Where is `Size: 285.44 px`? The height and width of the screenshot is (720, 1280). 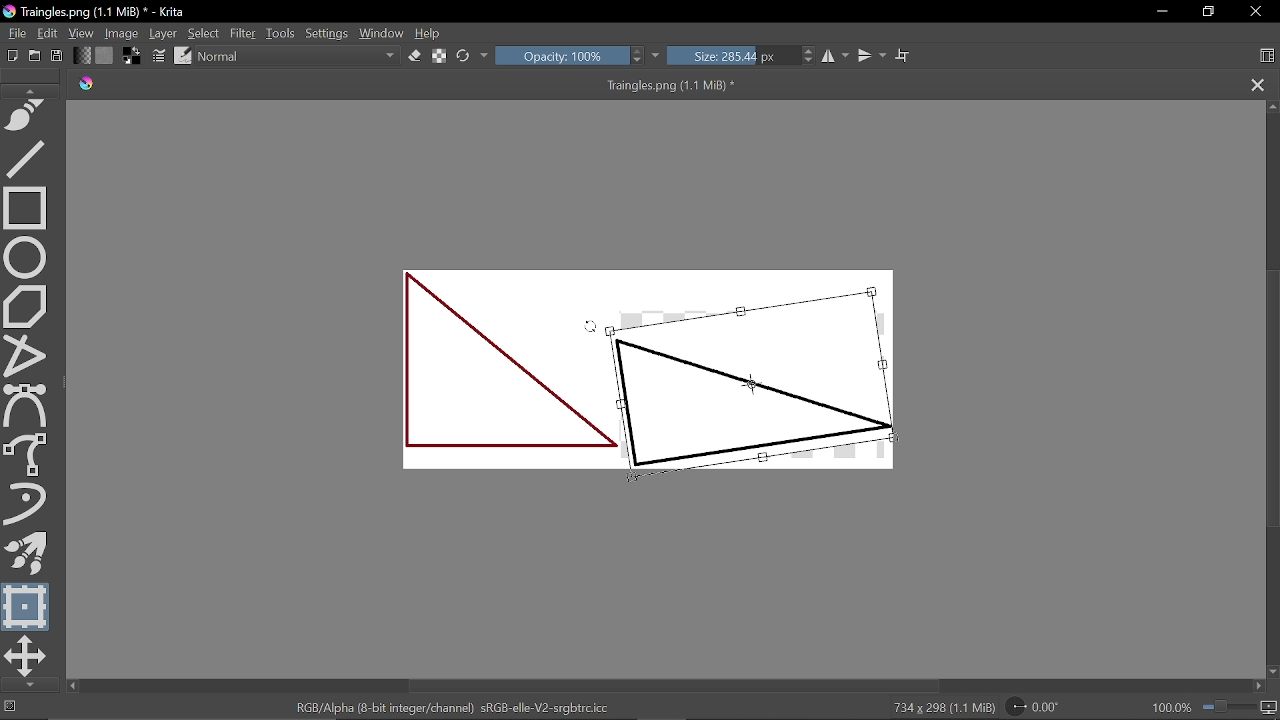
Size: 285.44 px is located at coordinates (743, 57).